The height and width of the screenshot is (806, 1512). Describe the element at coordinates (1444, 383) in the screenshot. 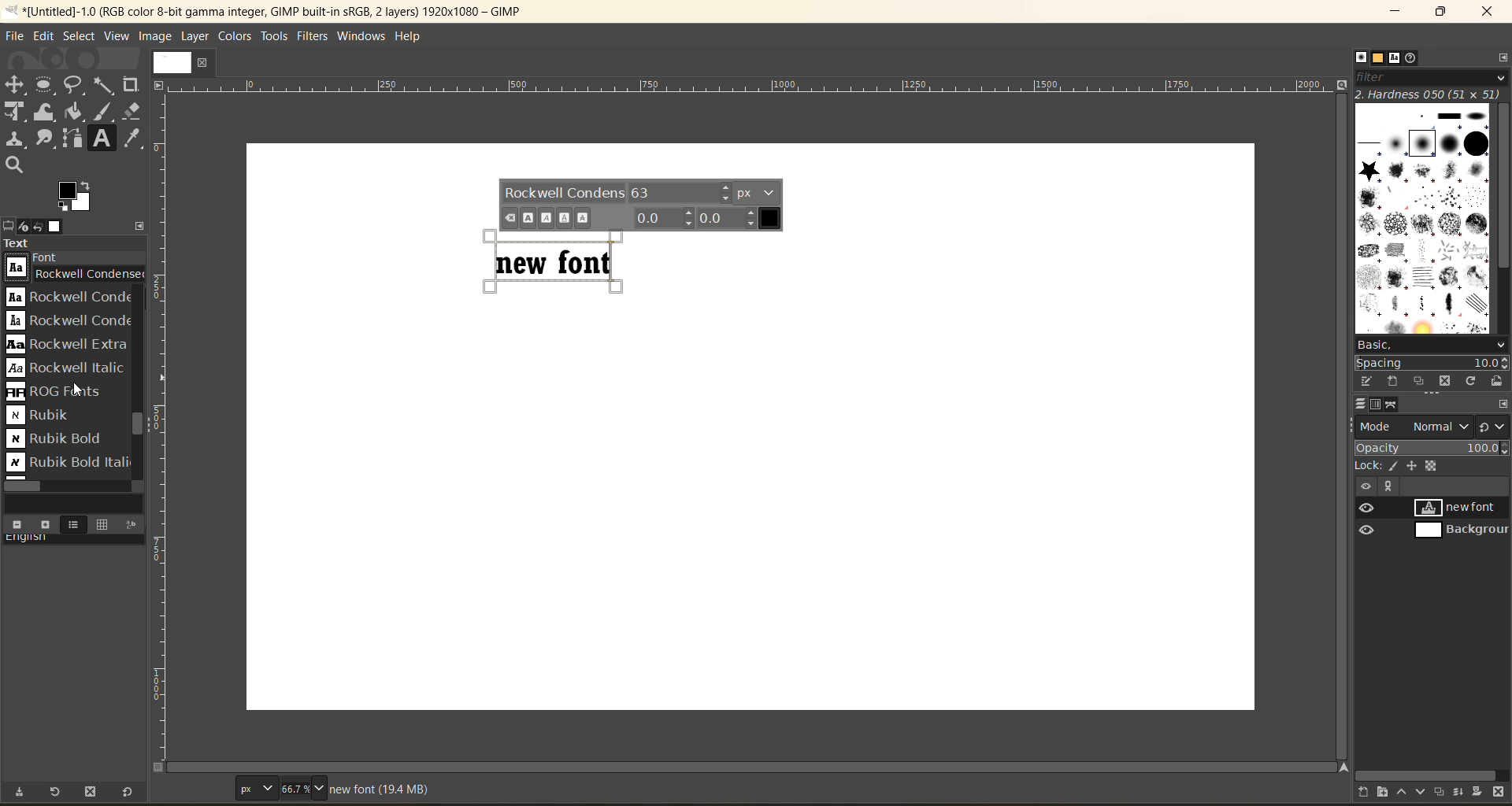

I see `delete this brush` at that location.